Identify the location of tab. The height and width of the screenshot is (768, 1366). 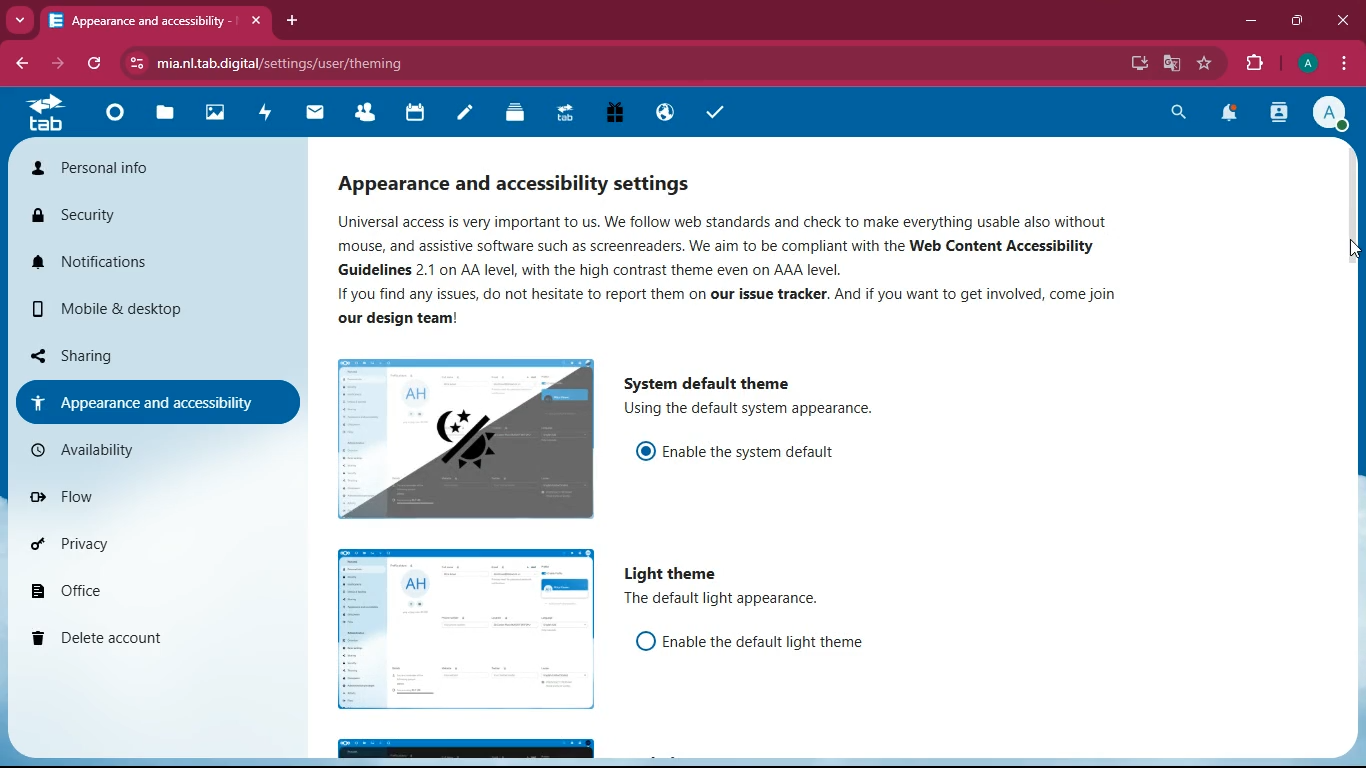
(566, 112).